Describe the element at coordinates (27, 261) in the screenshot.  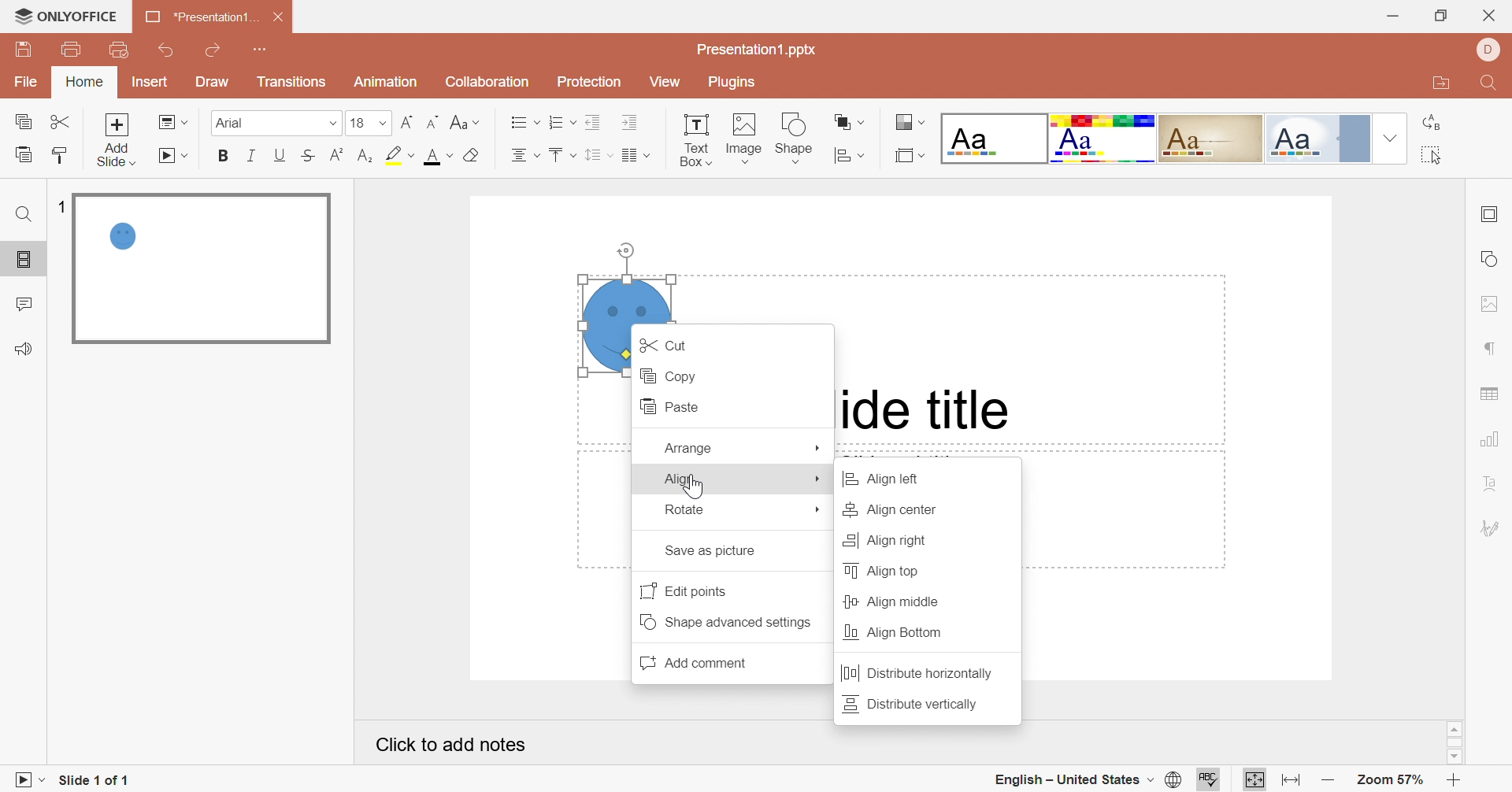
I see `Slides` at that location.